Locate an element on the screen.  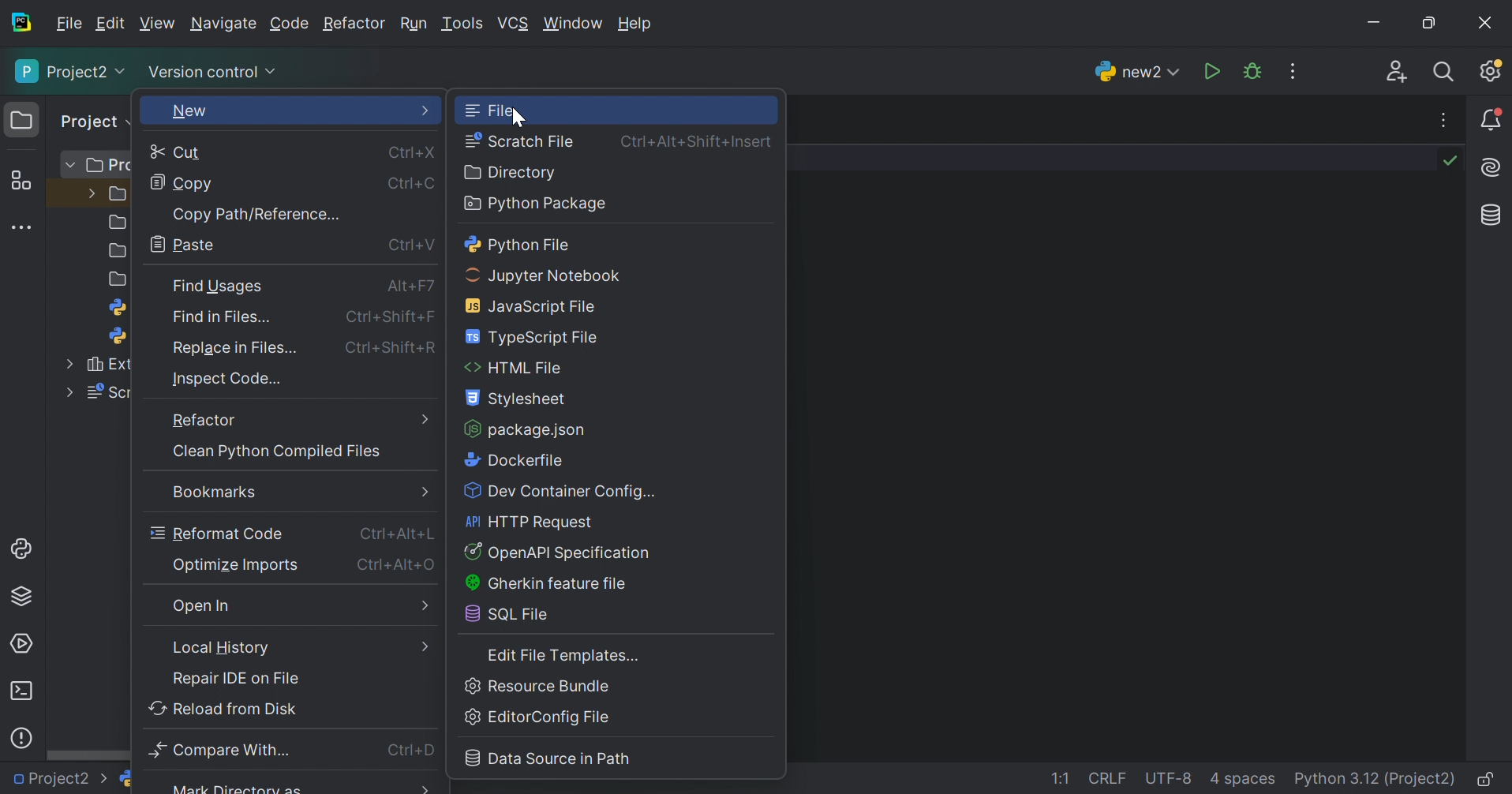
Optimize imports is located at coordinates (237, 565).